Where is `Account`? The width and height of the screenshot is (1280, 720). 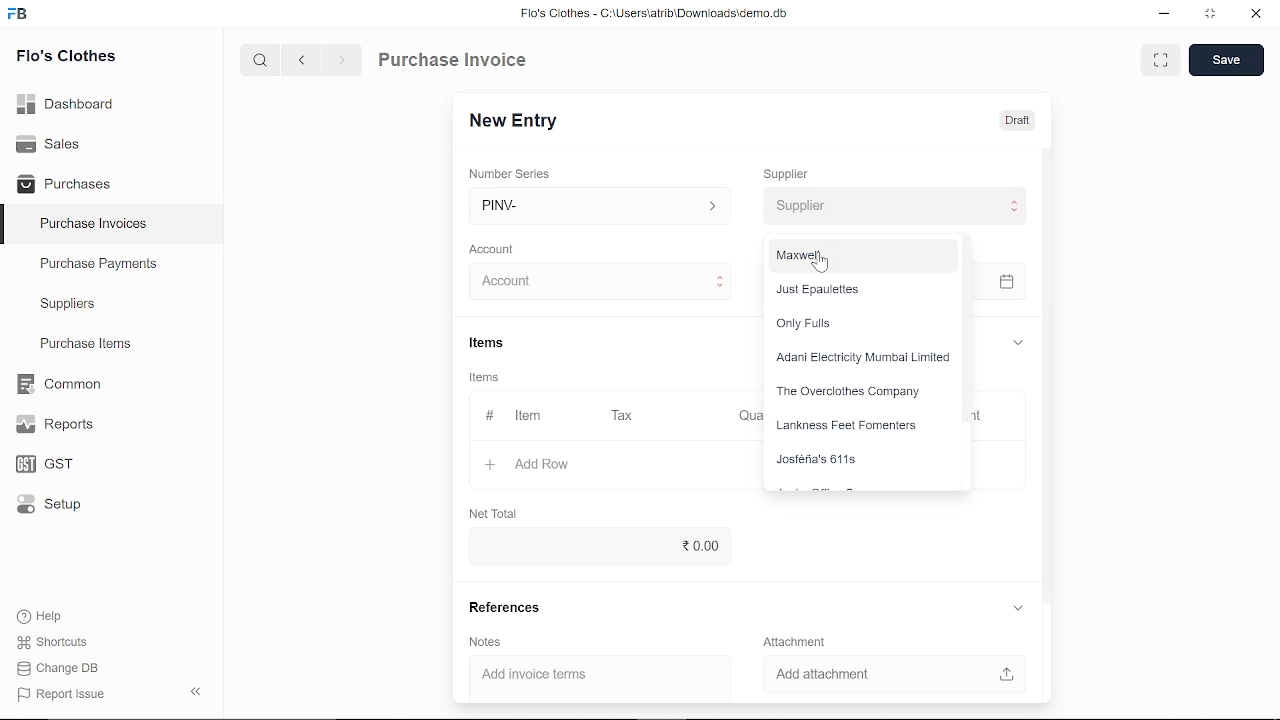
Account is located at coordinates (498, 247).